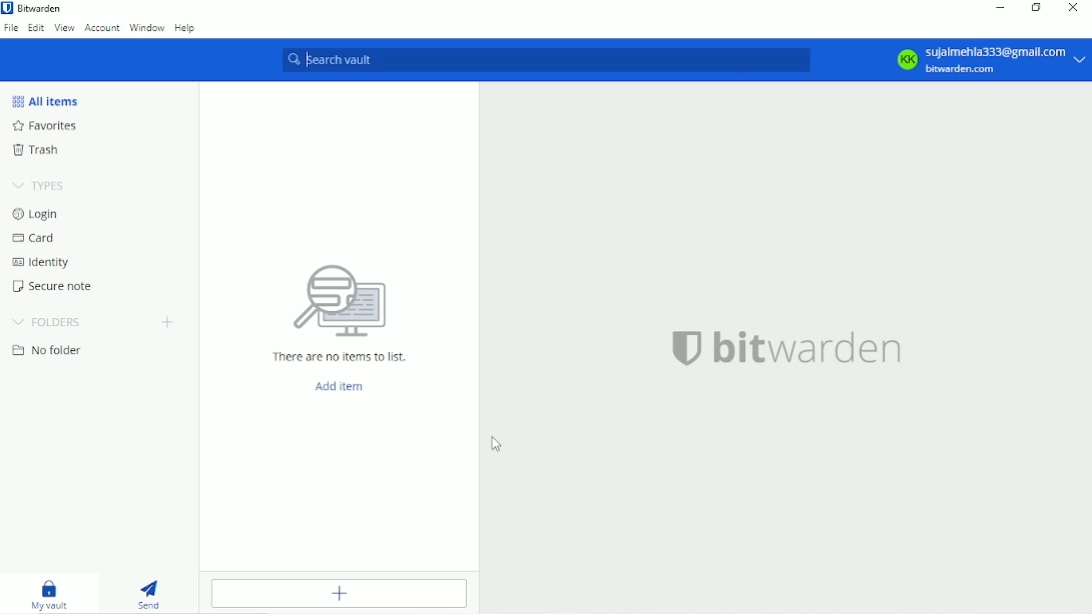 This screenshot has width=1092, height=614. What do you see at coordinates (37, 151) in the screenshot?
I see `Trash` at bounding box center [37, 151].